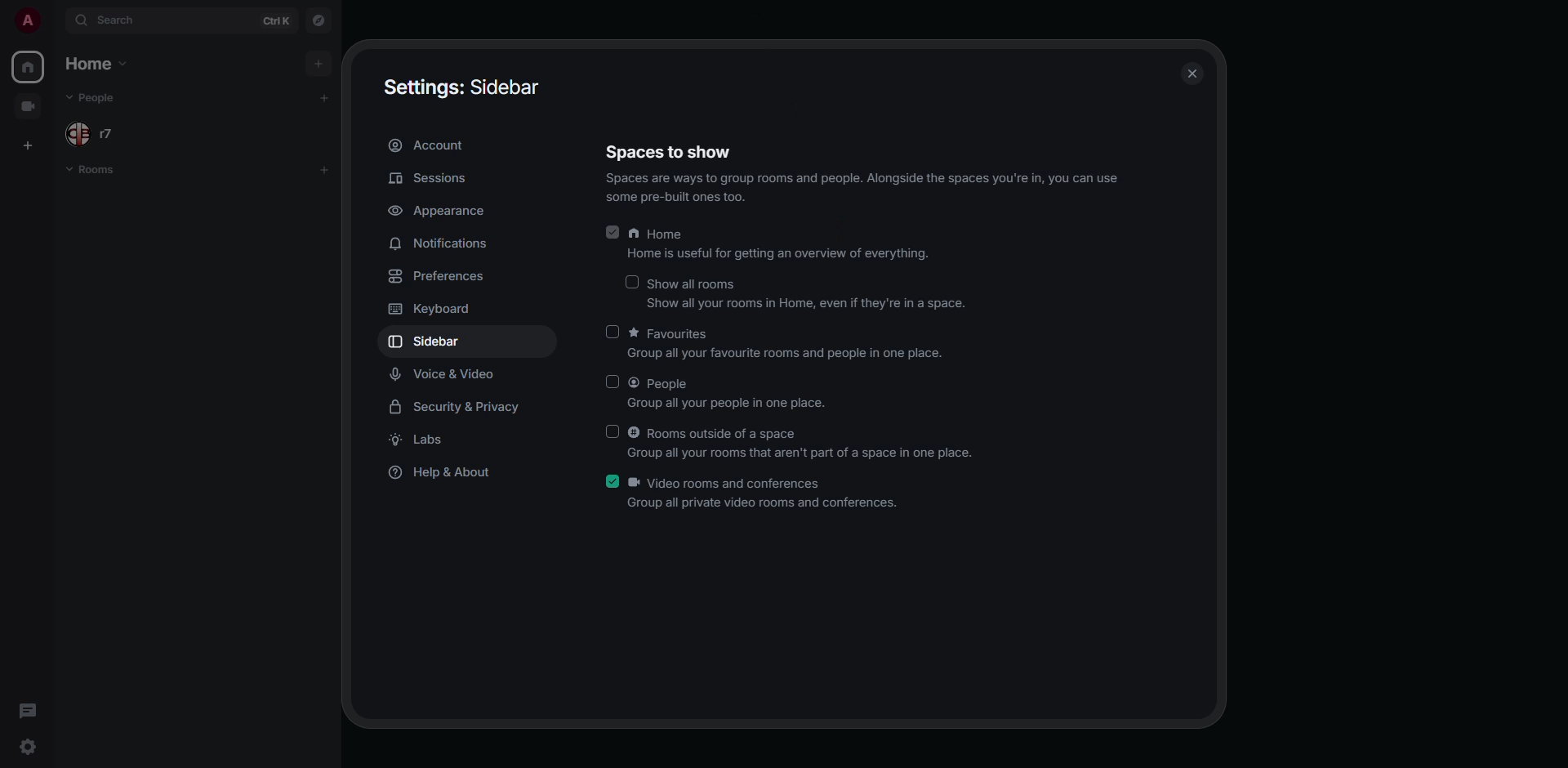  Describe the element at coordinates (323, 96) in the screenshot. I see `add` at that location.